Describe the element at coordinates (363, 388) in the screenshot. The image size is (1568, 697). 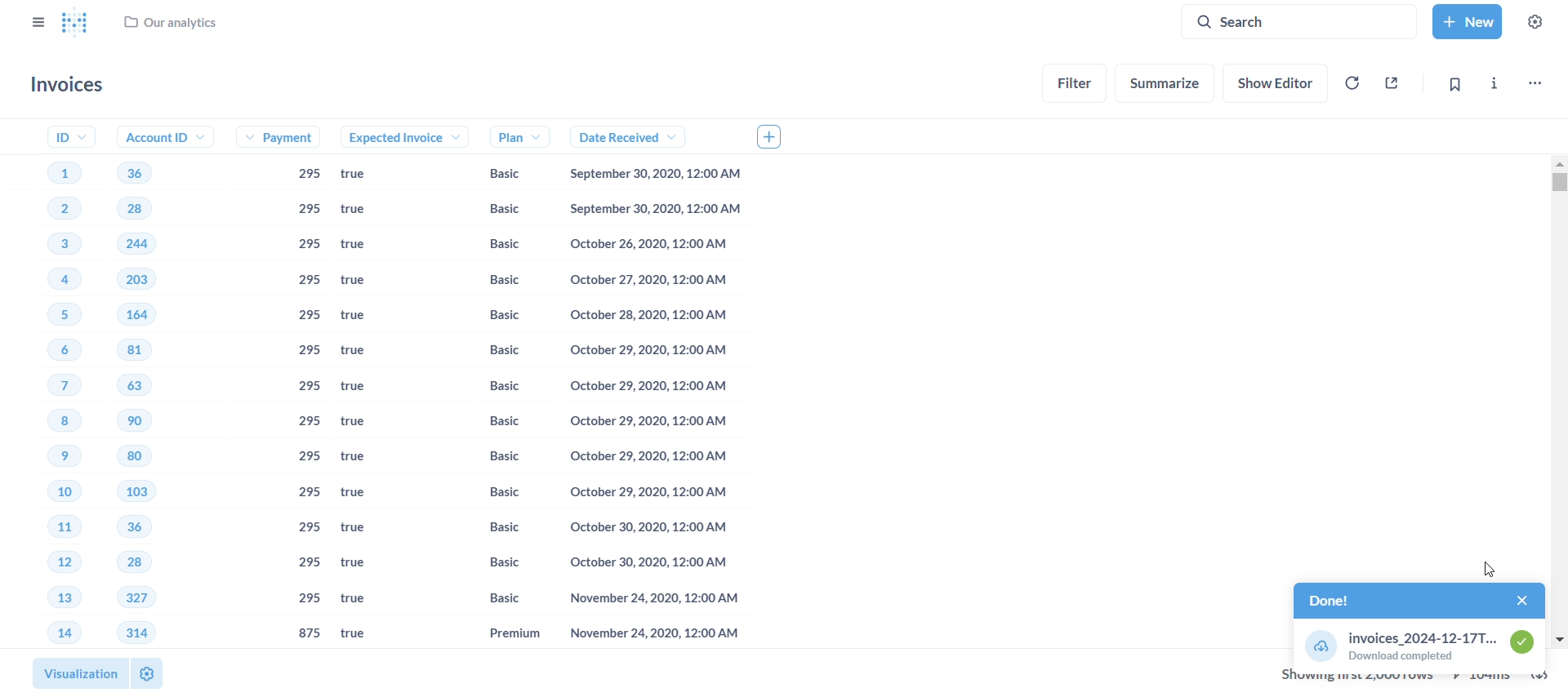
I see `true` at that location.